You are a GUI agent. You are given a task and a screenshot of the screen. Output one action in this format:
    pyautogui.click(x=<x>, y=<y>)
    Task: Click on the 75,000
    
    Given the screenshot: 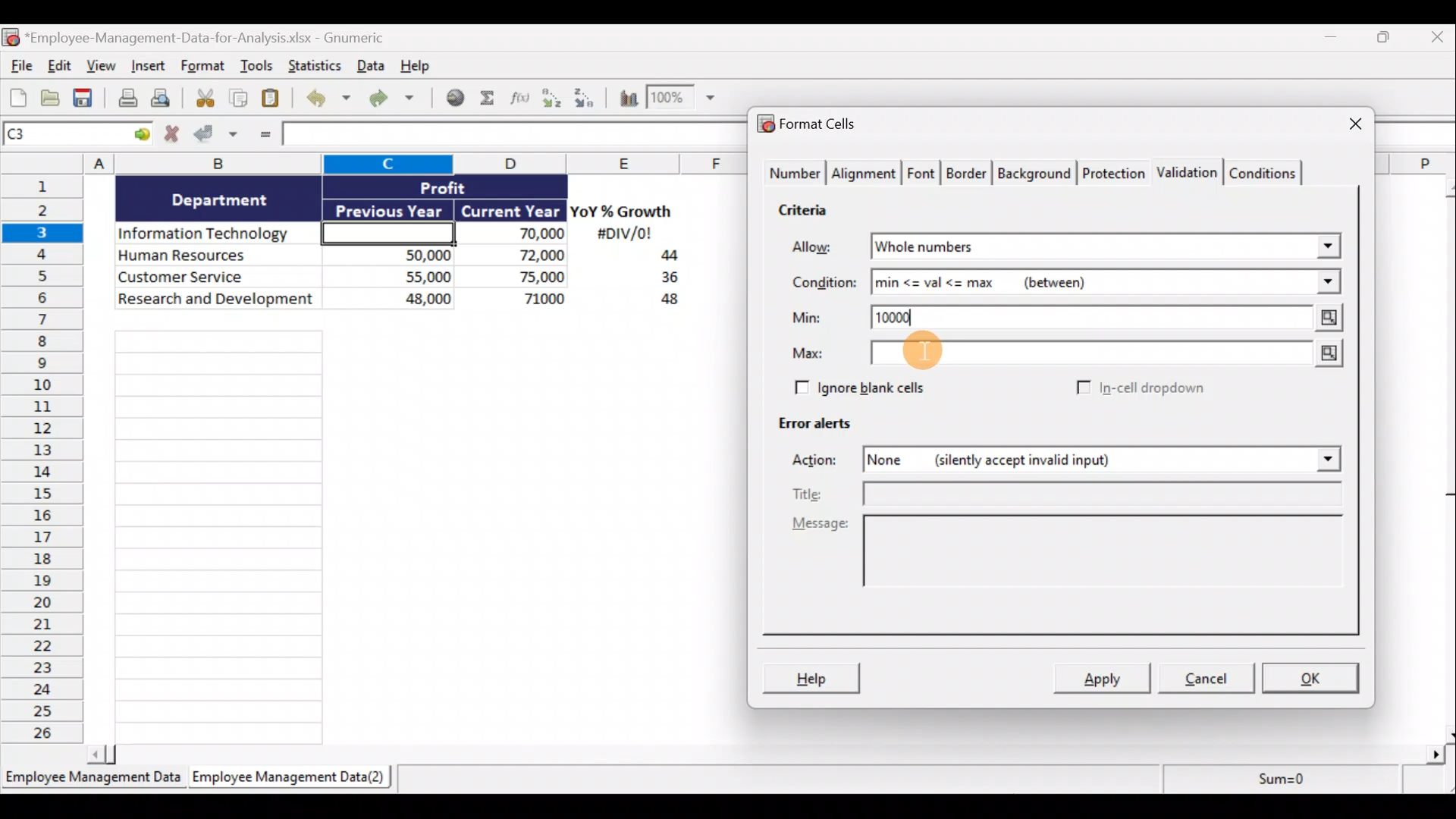 What is the action you would take?
    pyautogui.click(x=519, y=278)
    